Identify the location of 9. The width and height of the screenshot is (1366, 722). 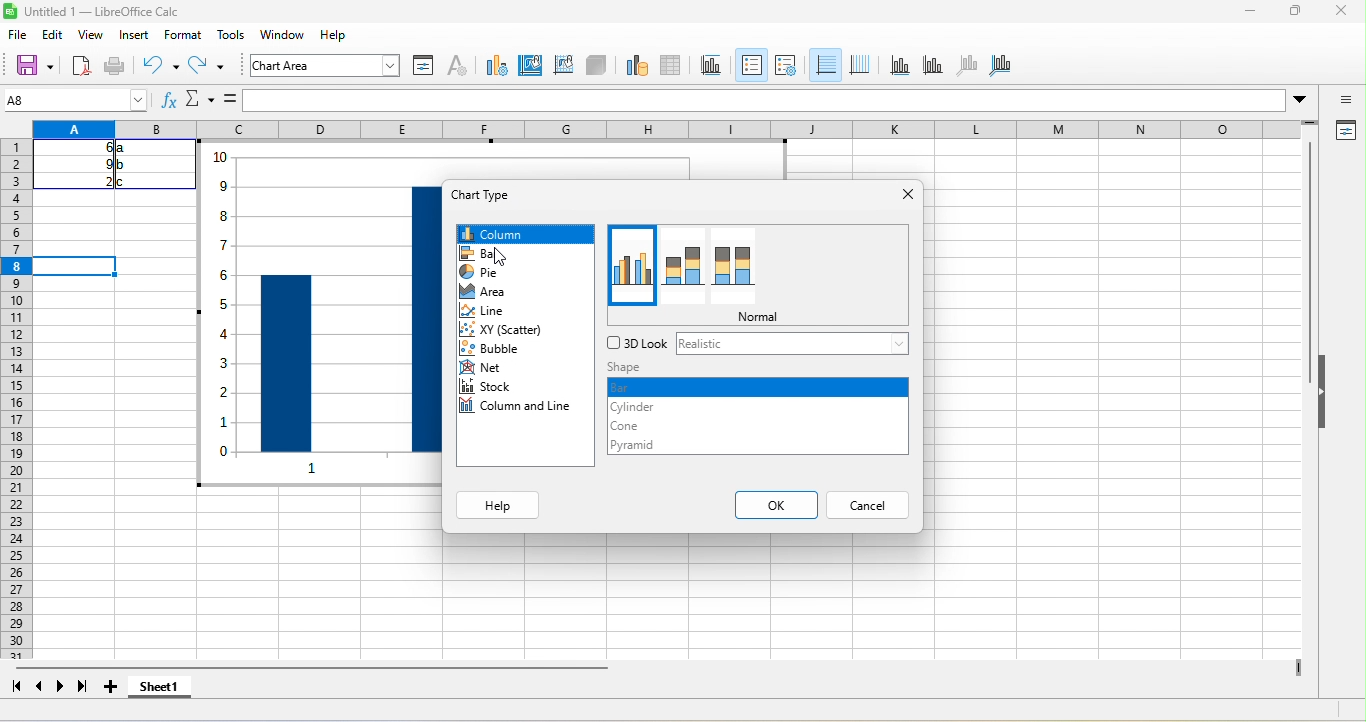
(94, 165).